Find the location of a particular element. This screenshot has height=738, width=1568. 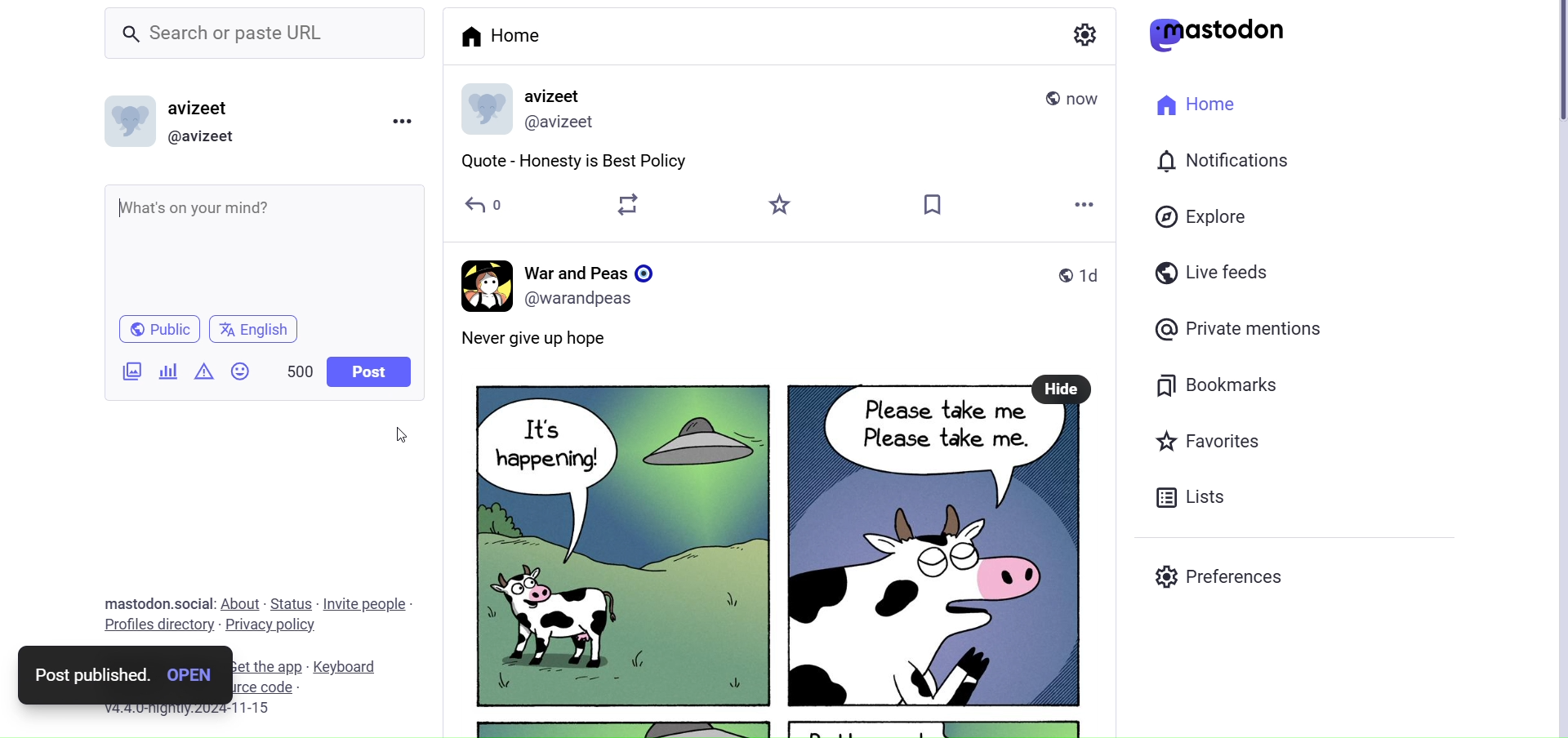

Profile picture is located at coordinates (485, 109).